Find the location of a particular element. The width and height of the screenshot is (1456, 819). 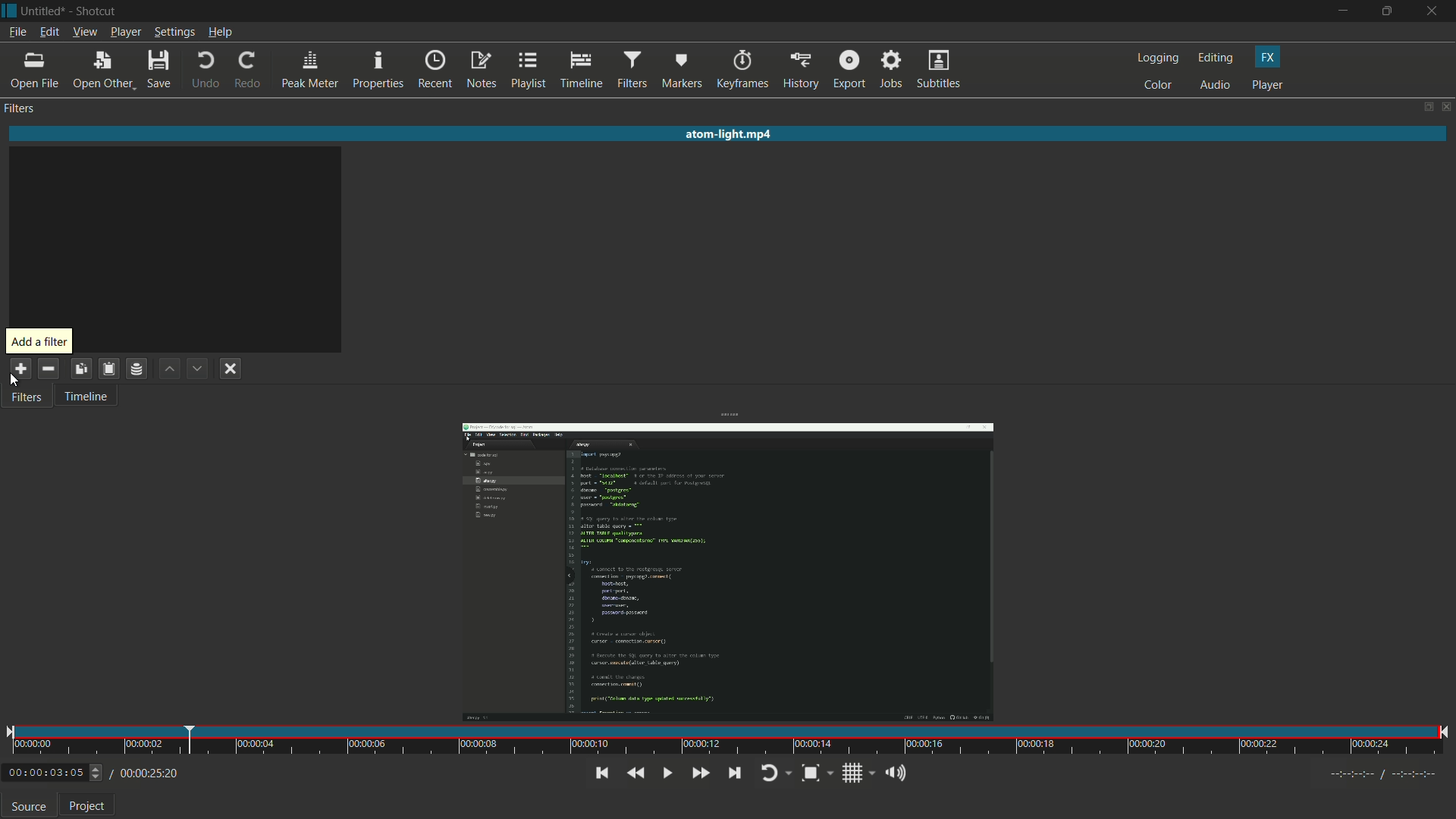

minimize is located at coordinates (1341, 11).